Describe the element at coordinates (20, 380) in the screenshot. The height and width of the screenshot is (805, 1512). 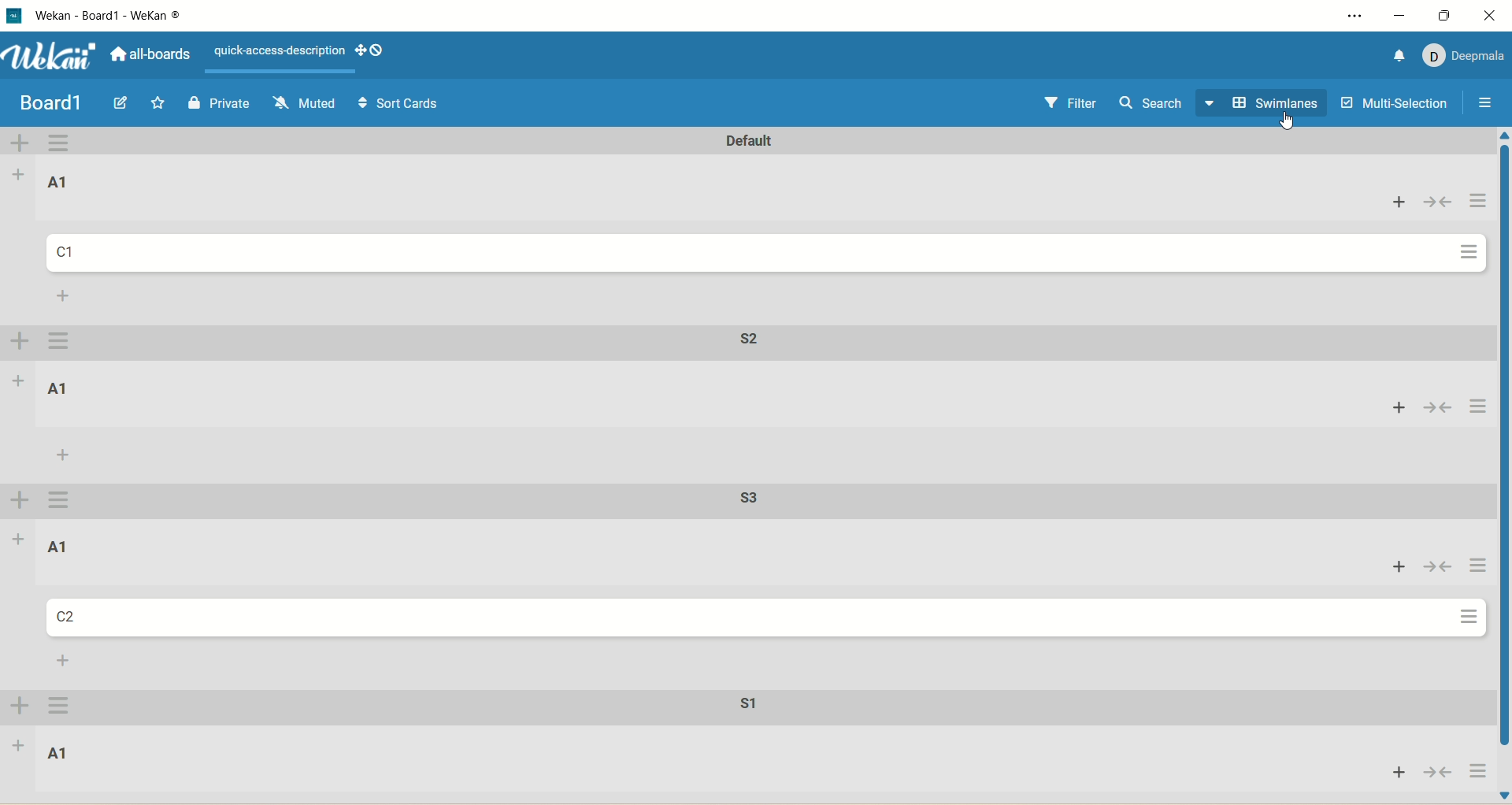
I see `add` at that location.